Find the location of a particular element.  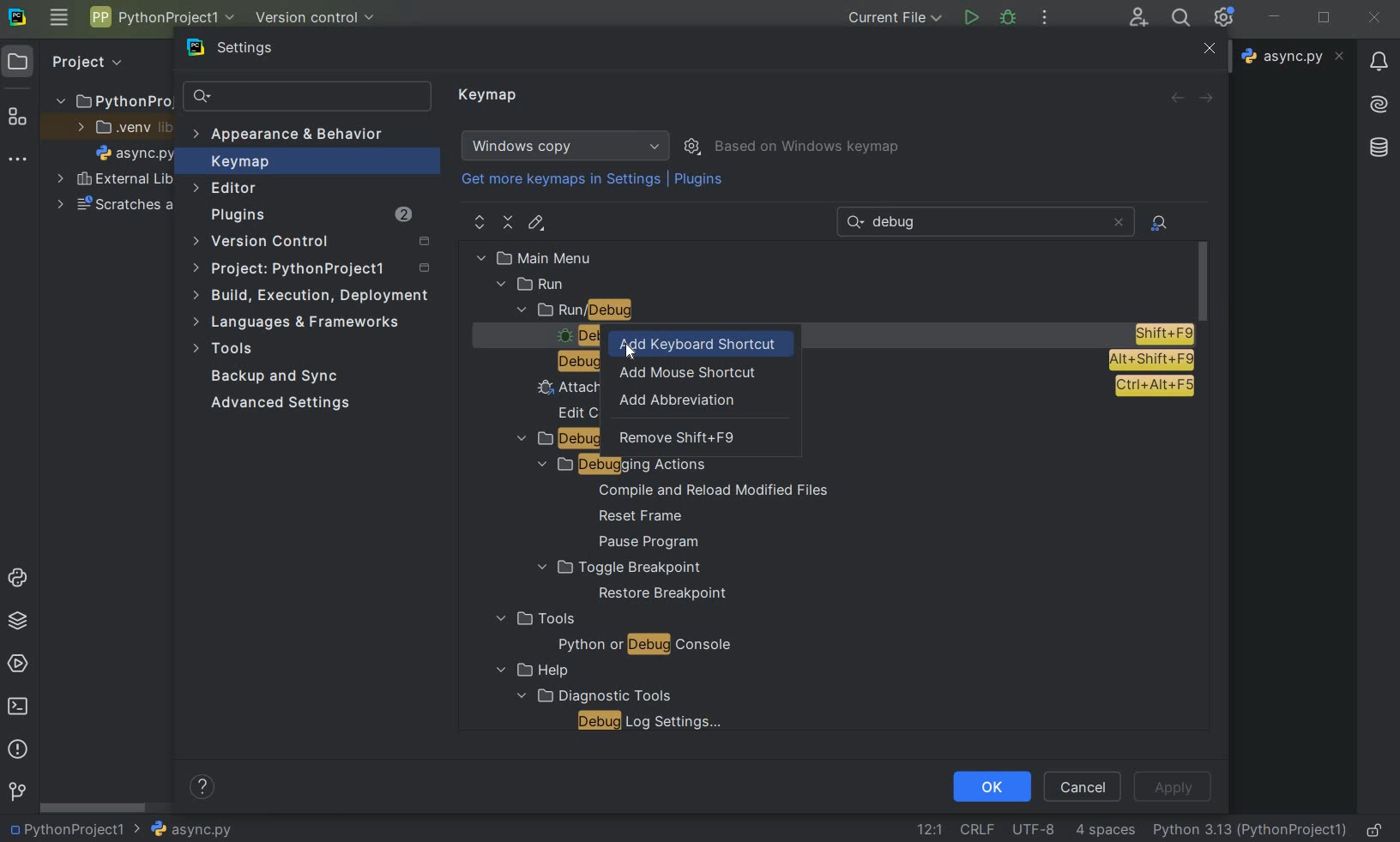

based on windows keymap is located at coordinates (808, 147).